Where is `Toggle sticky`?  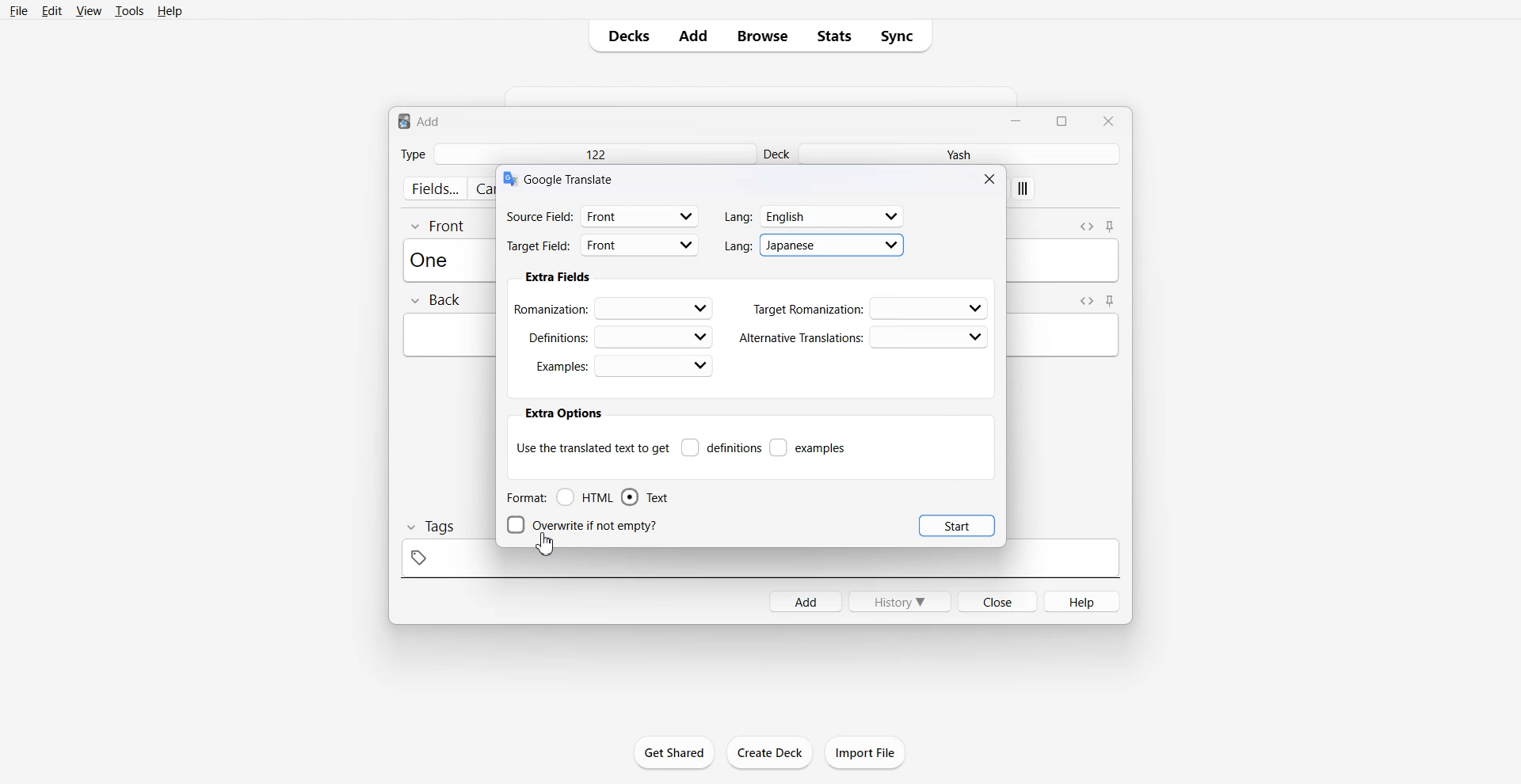
Toggle sticky is located at coordinates (1111, 301).